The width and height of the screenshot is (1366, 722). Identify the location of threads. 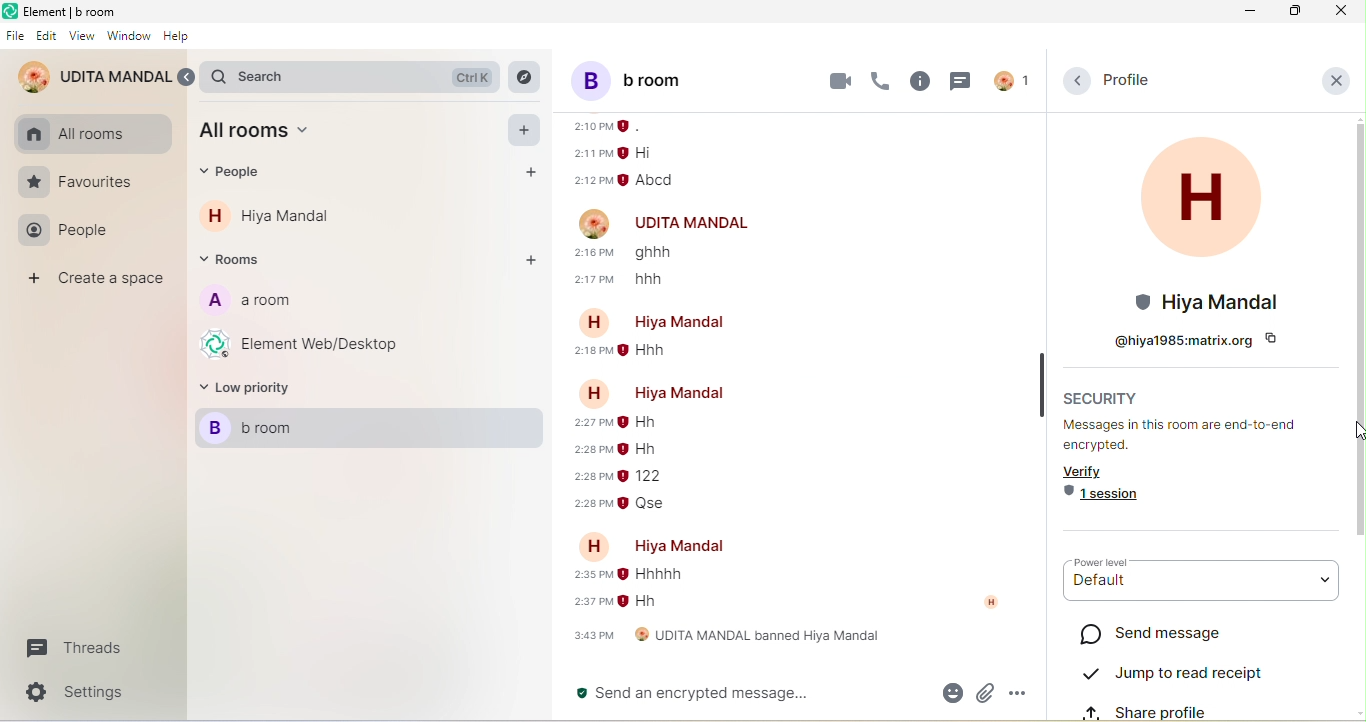
(70, 651).